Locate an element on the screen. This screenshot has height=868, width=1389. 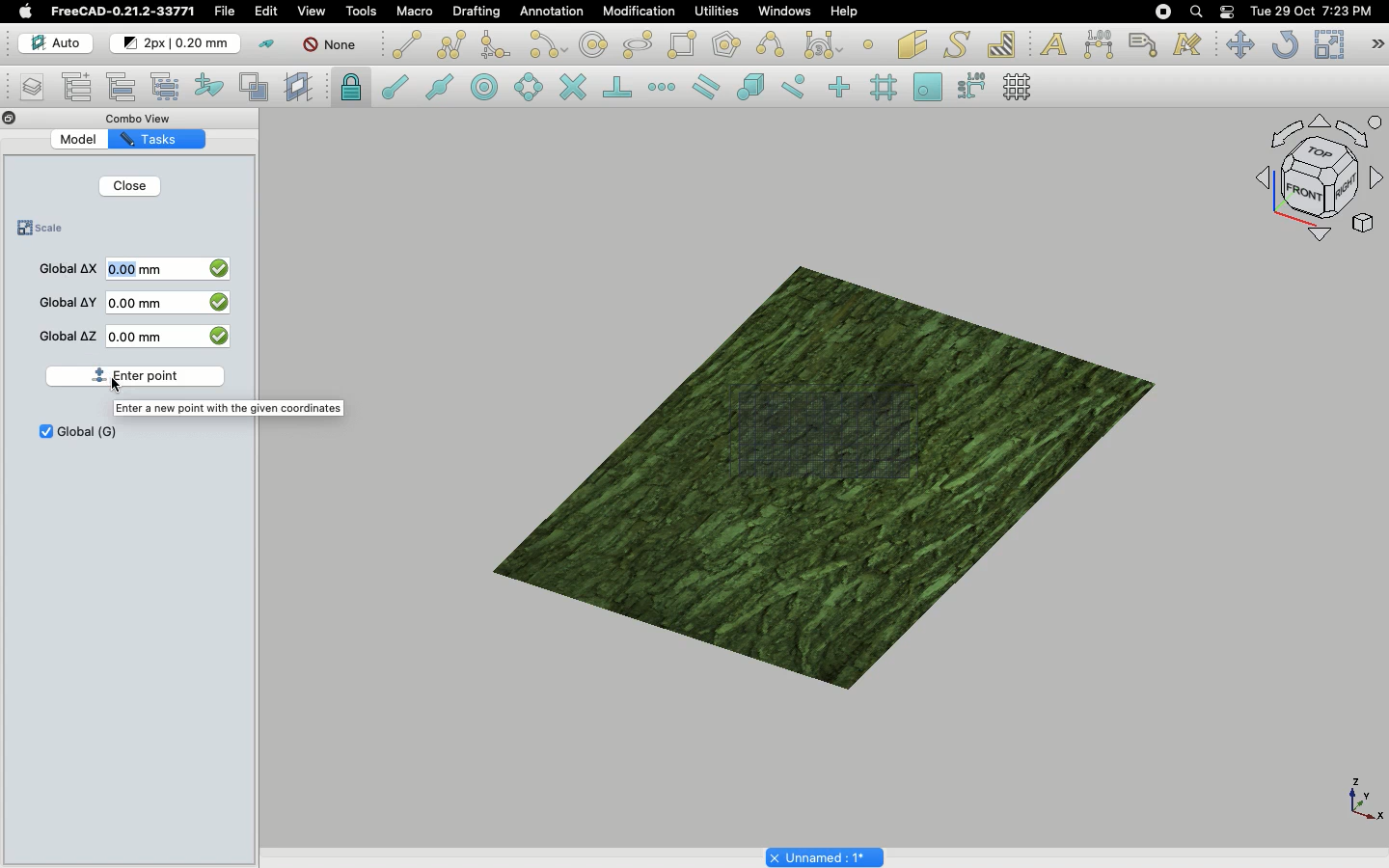
Shape from text is located at coordinates (955, 44).